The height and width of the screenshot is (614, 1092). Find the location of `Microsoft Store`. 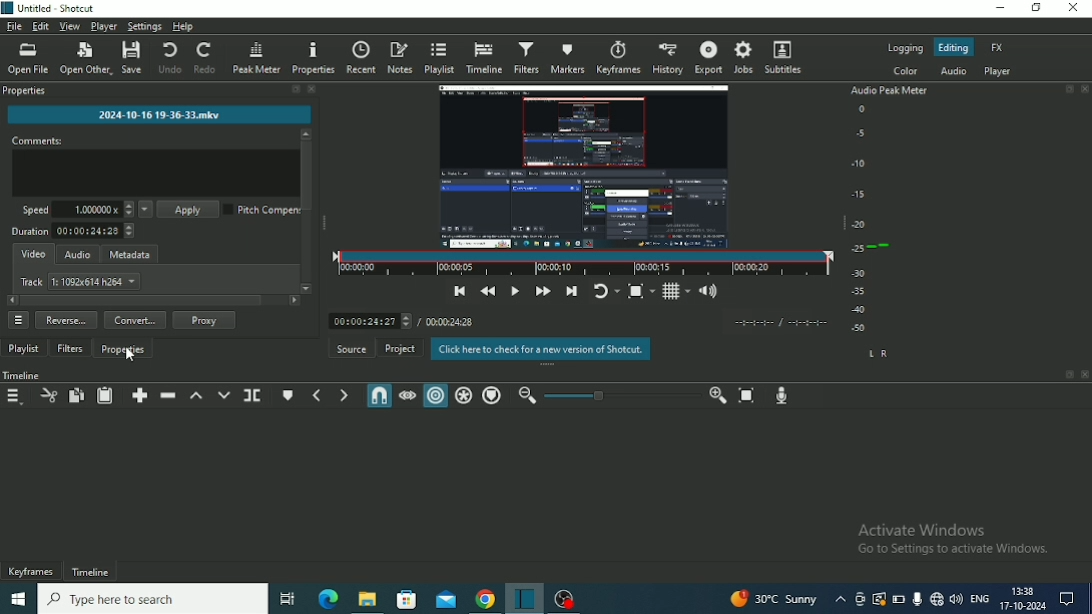

Microsoft Store is located at coordinates (404, 600).